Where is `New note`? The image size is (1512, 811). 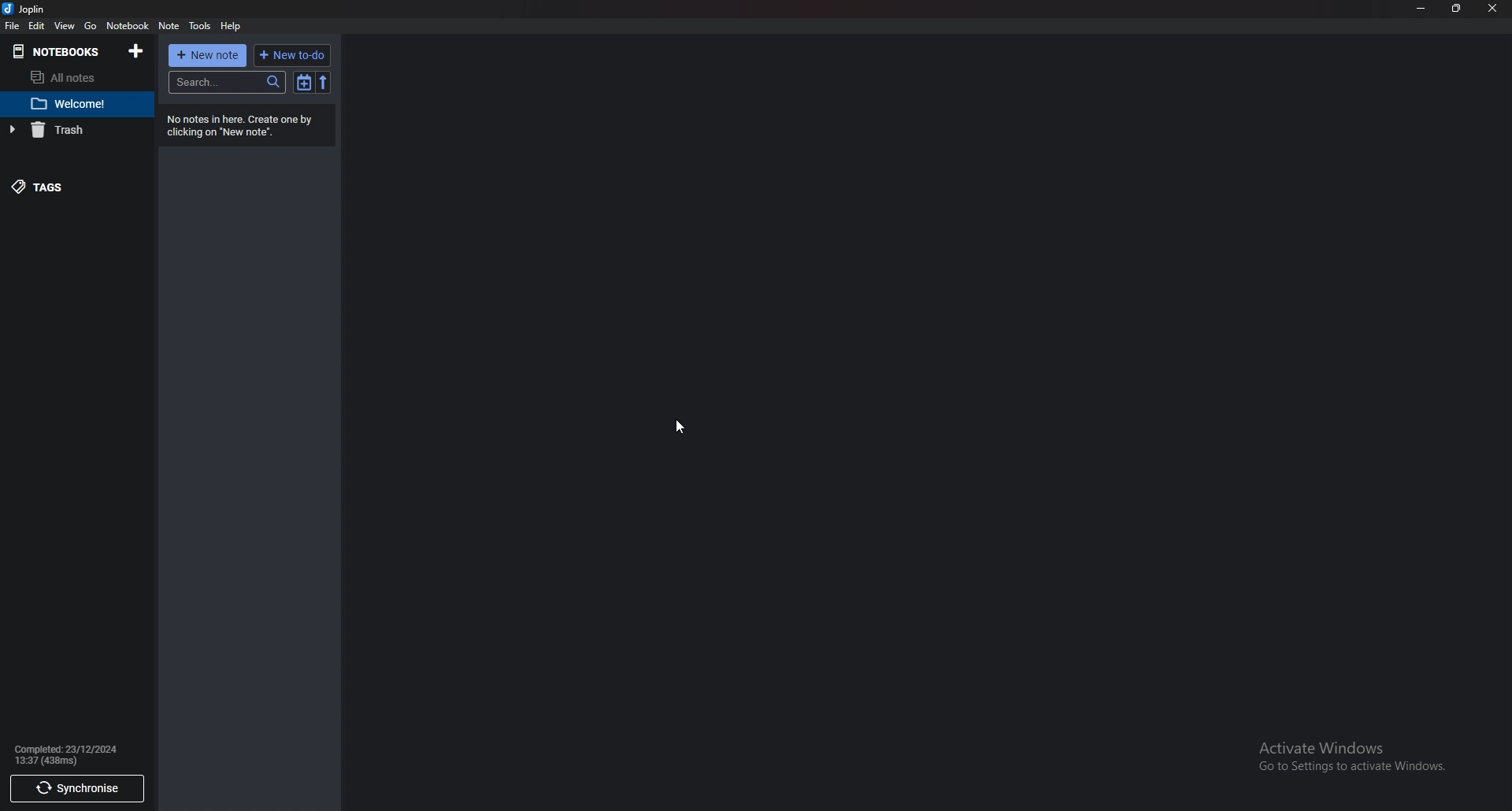
New note is located at coordinates (209, 56).